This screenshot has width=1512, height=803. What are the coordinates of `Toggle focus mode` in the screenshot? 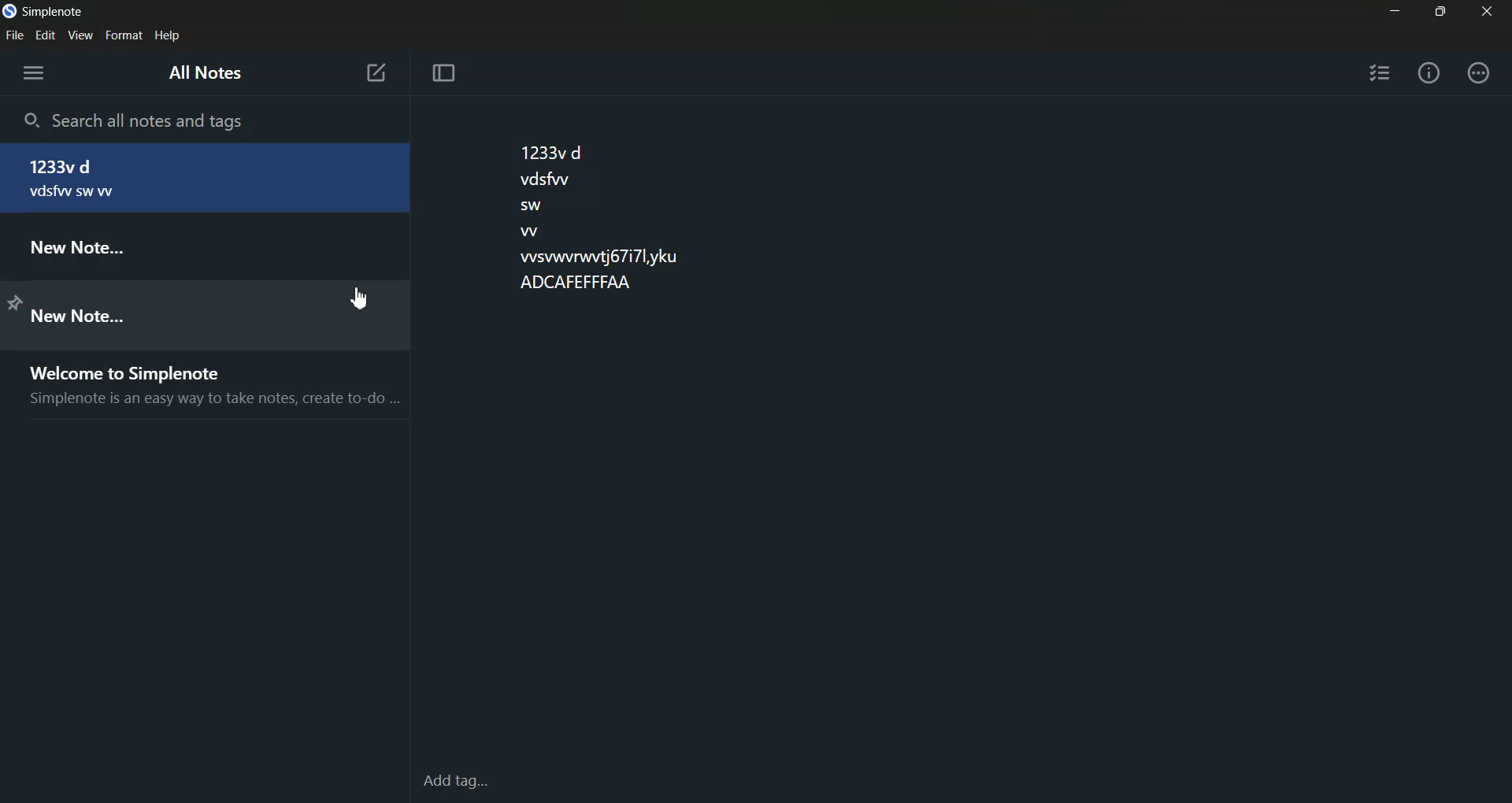 It's located at (443, 73).